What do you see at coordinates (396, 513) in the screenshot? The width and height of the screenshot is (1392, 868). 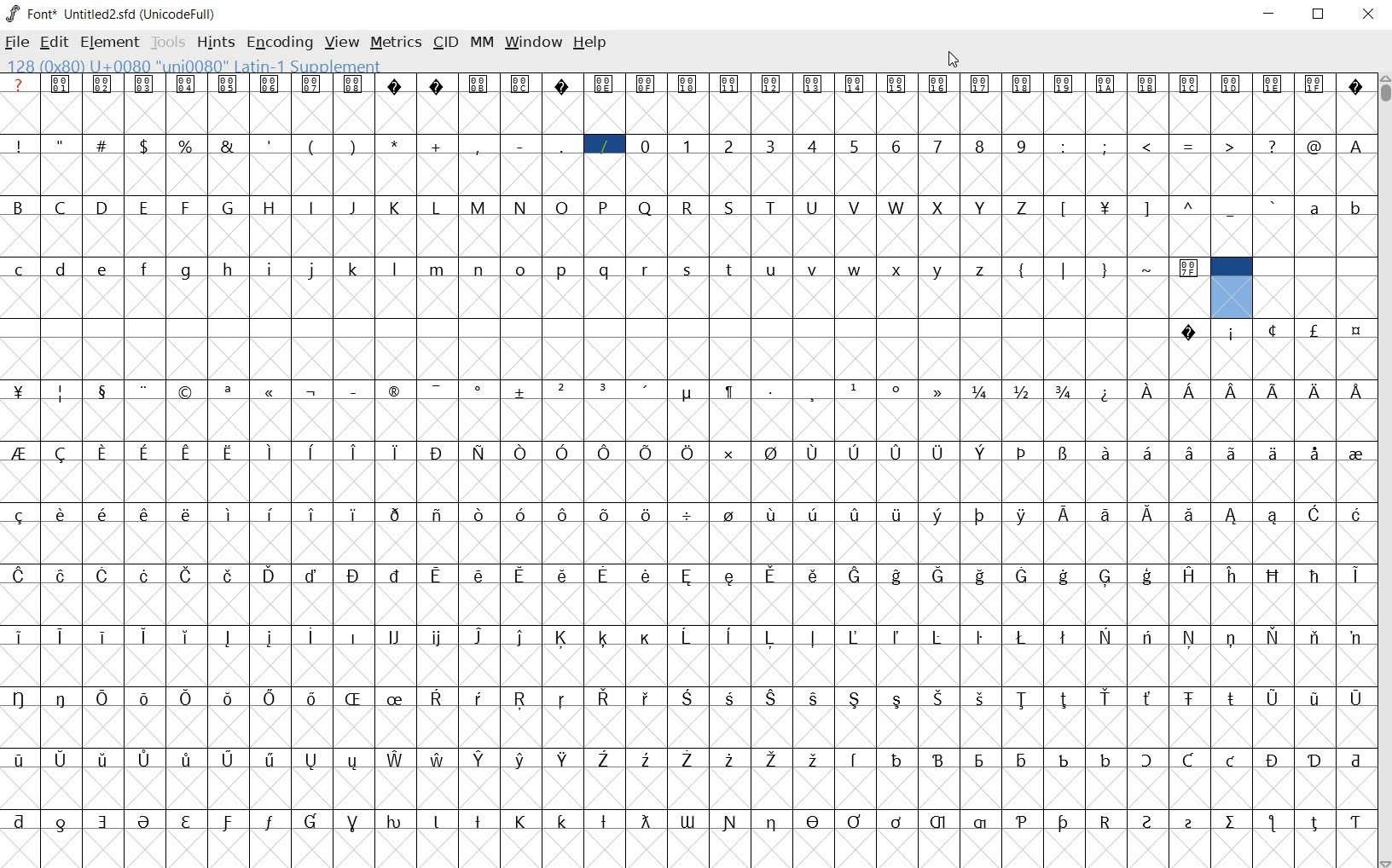 I see `Symbol` at bounding box center [396, 513].